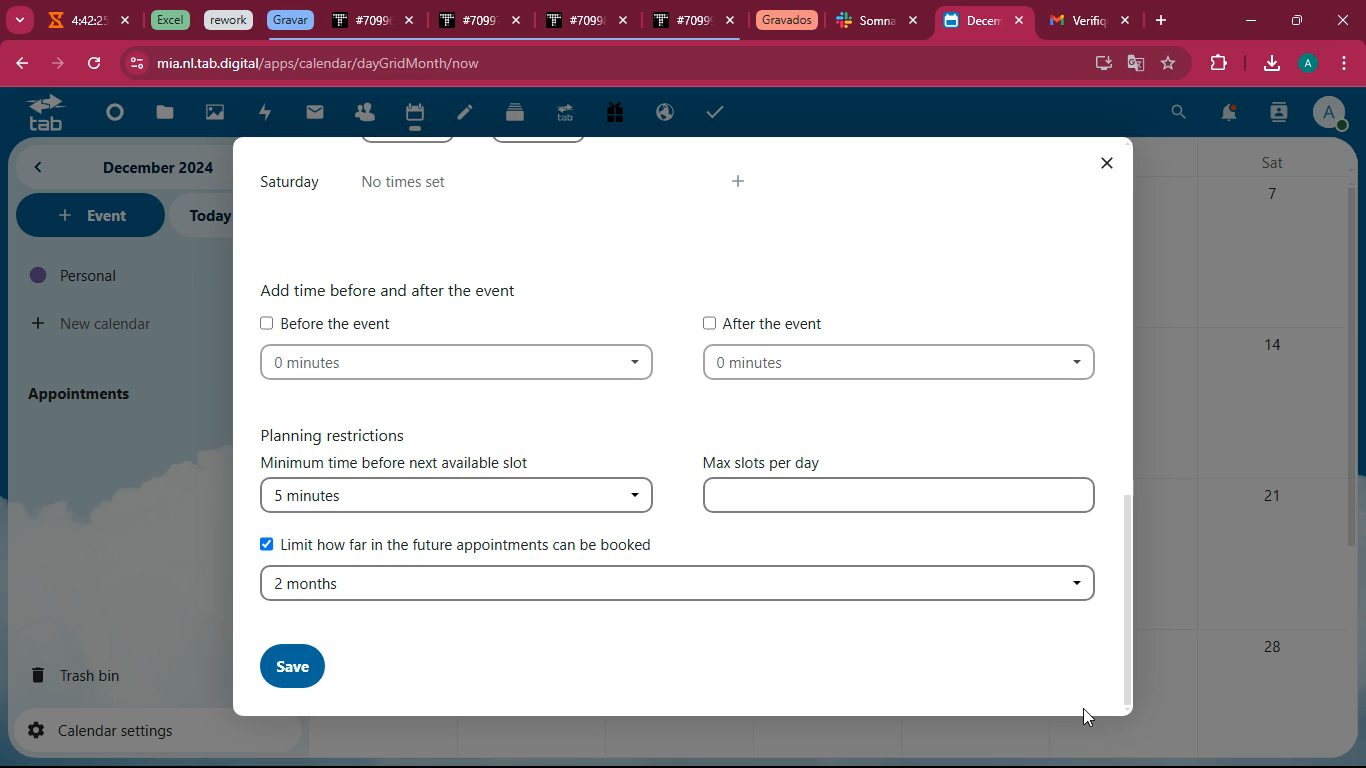 This screenshot has height=768, width=1366. Describe the element at coordinates (39, 112) in the screenshot. I see `tab` at that location.